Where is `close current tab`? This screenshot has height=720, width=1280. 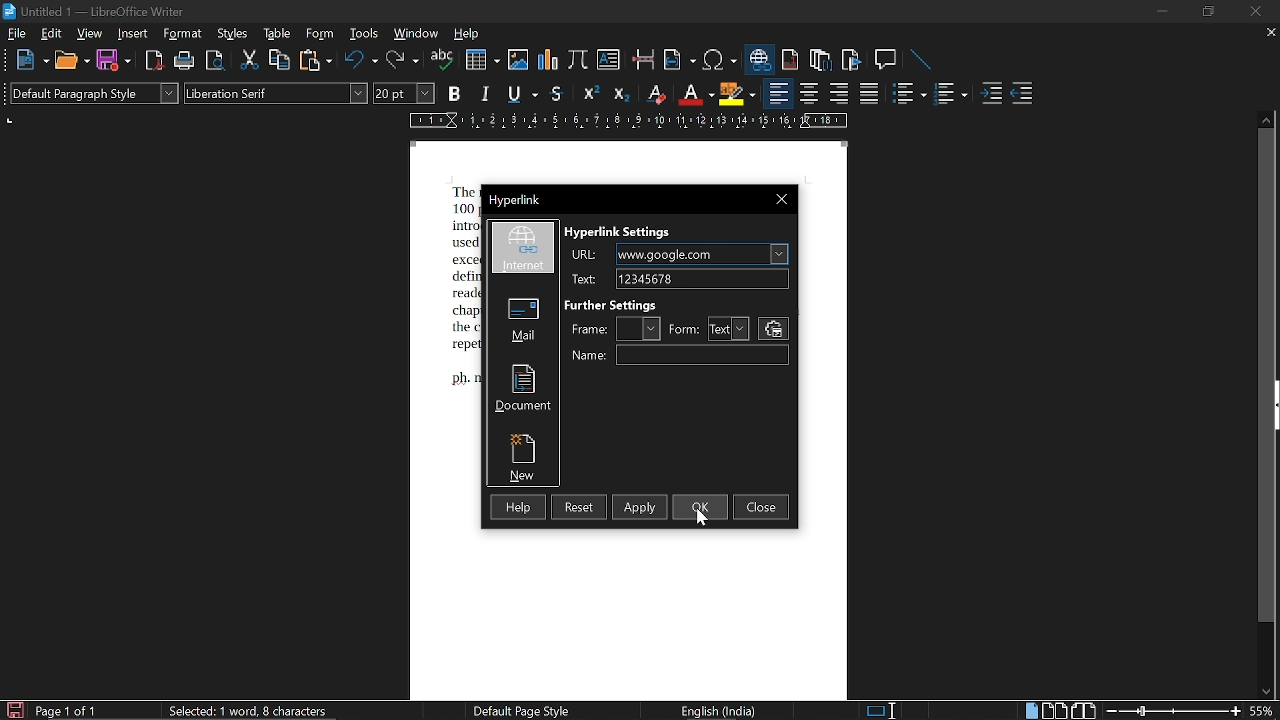
close current tab is located at coordinates (1270, 33).